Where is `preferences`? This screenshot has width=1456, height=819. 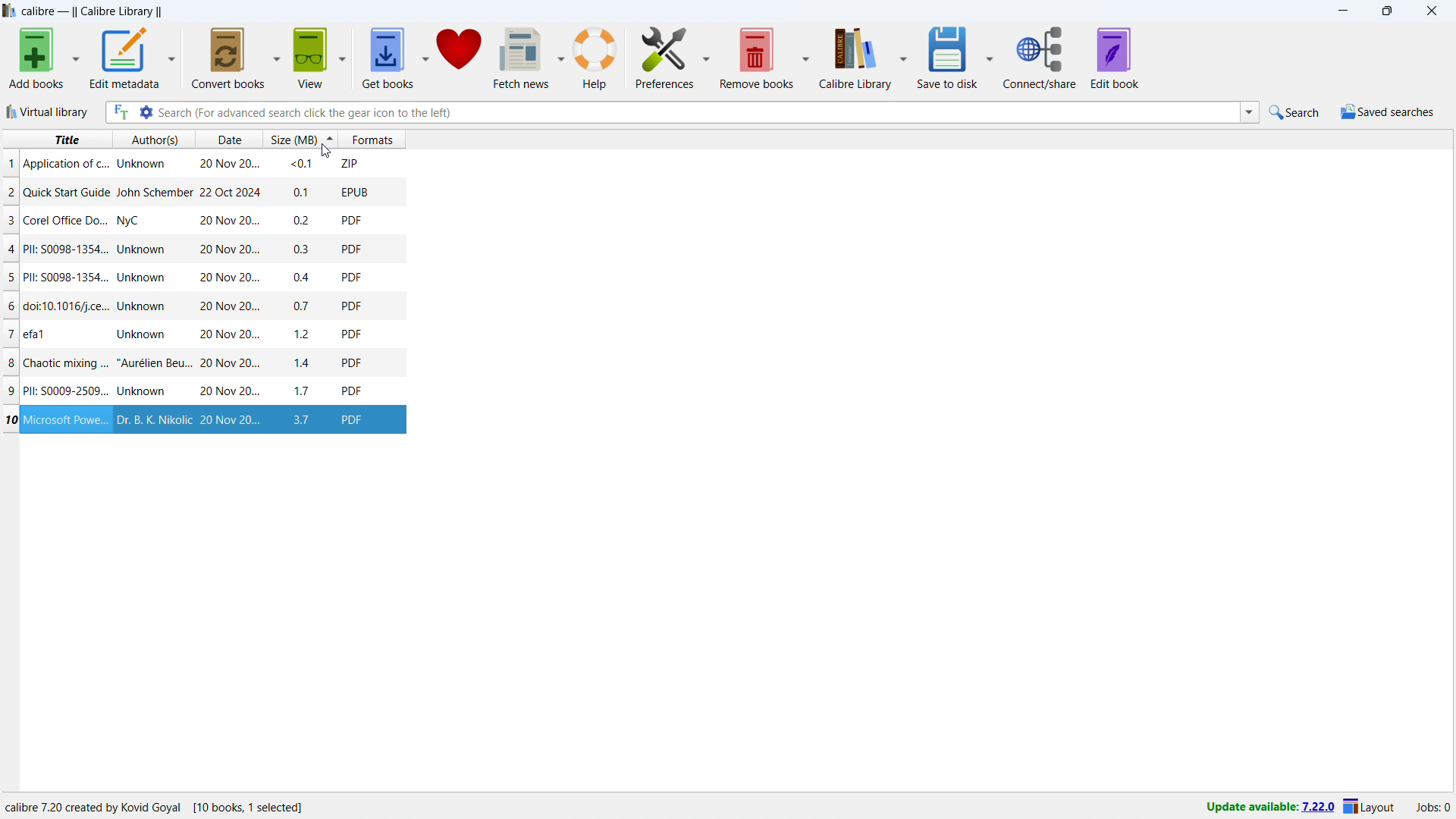
preferences is located at coordinates (664, 58).